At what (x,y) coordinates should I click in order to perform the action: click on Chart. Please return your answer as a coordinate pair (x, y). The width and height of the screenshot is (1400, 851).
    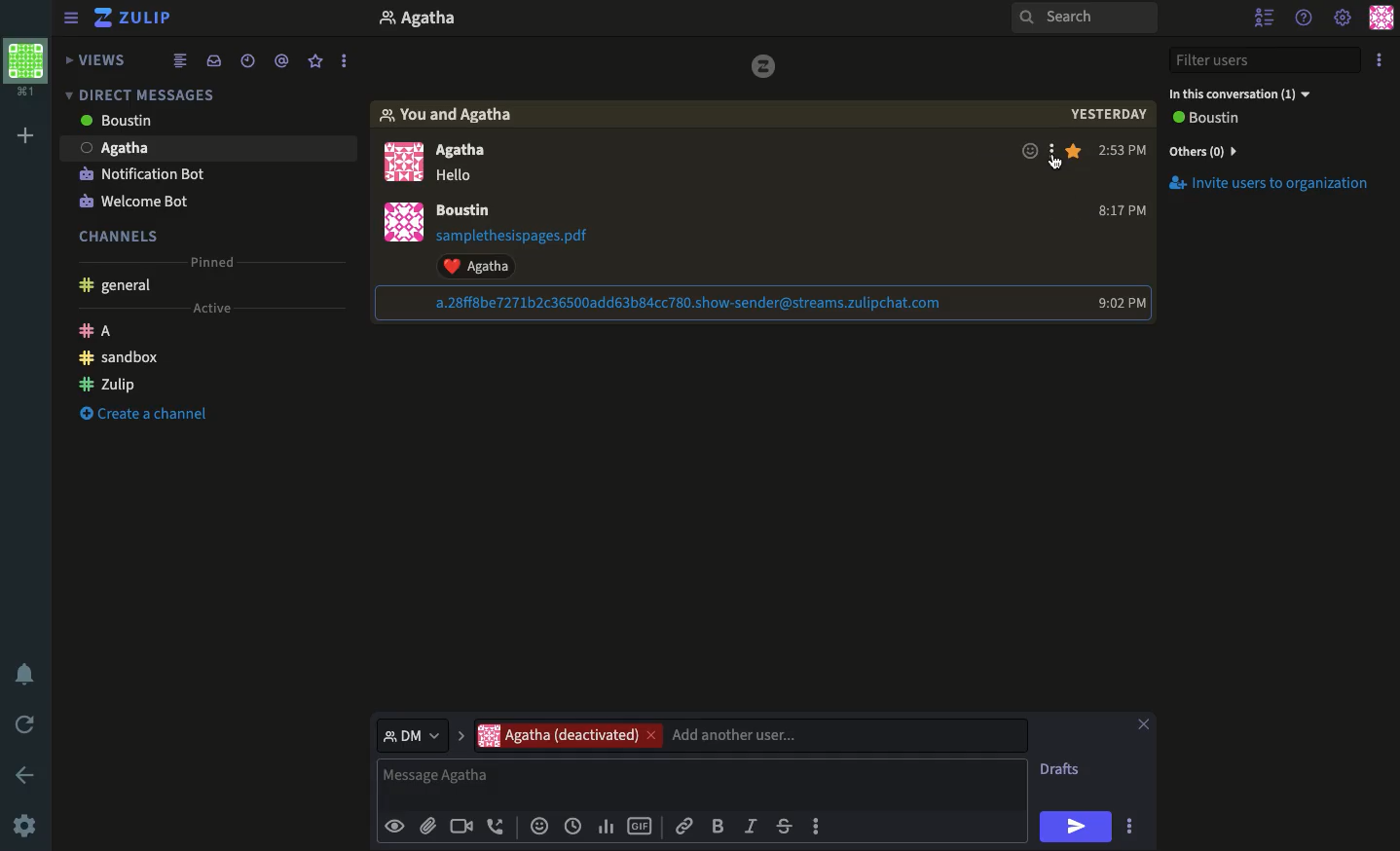
    Looking at the image, I should click on (607, 827).